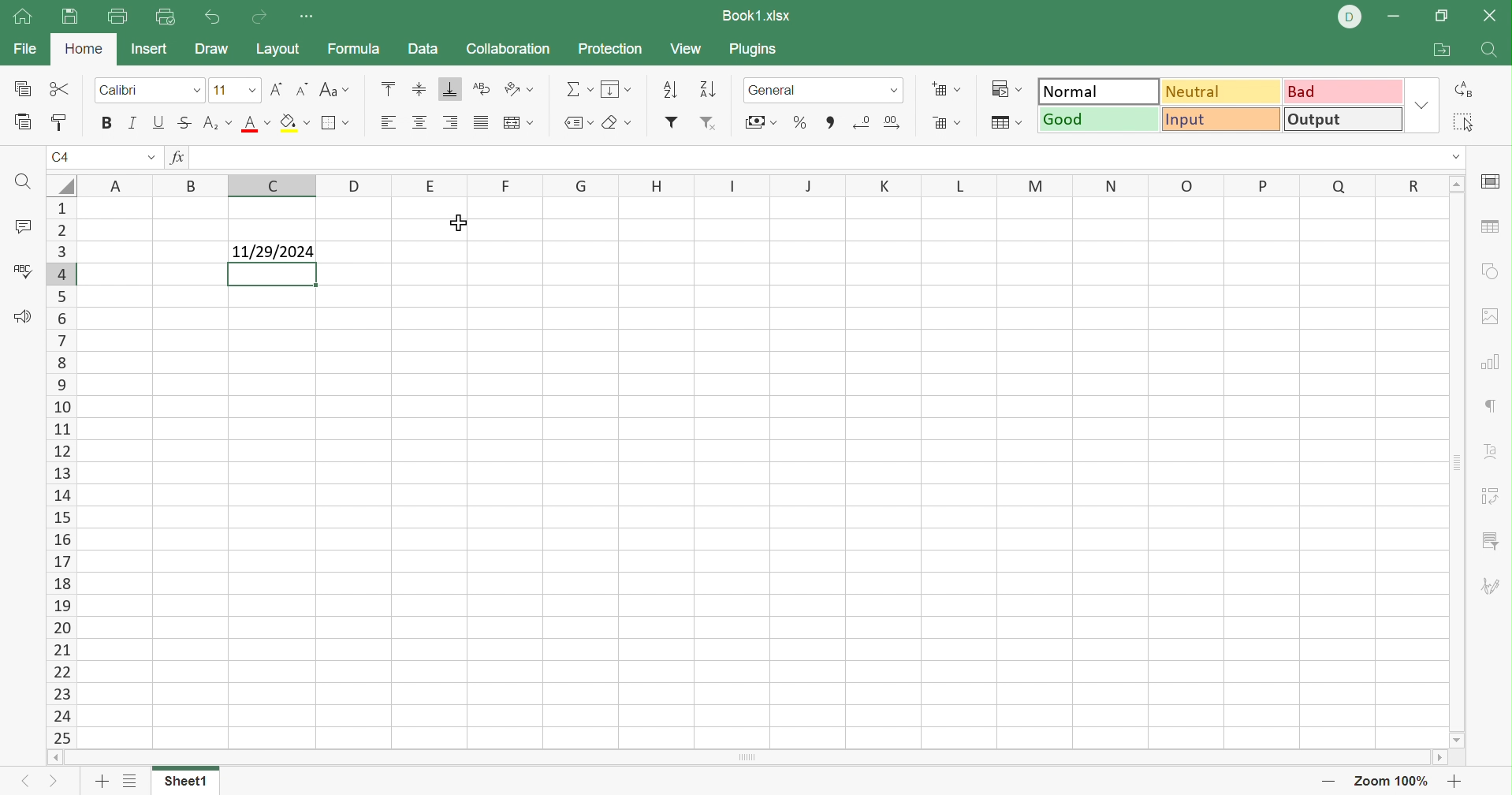 The width and height of the screenshot is (1512, 795). Describe the element at coordinates (863, 124) in the screenshot. I see `Decrease decimal` at that location.